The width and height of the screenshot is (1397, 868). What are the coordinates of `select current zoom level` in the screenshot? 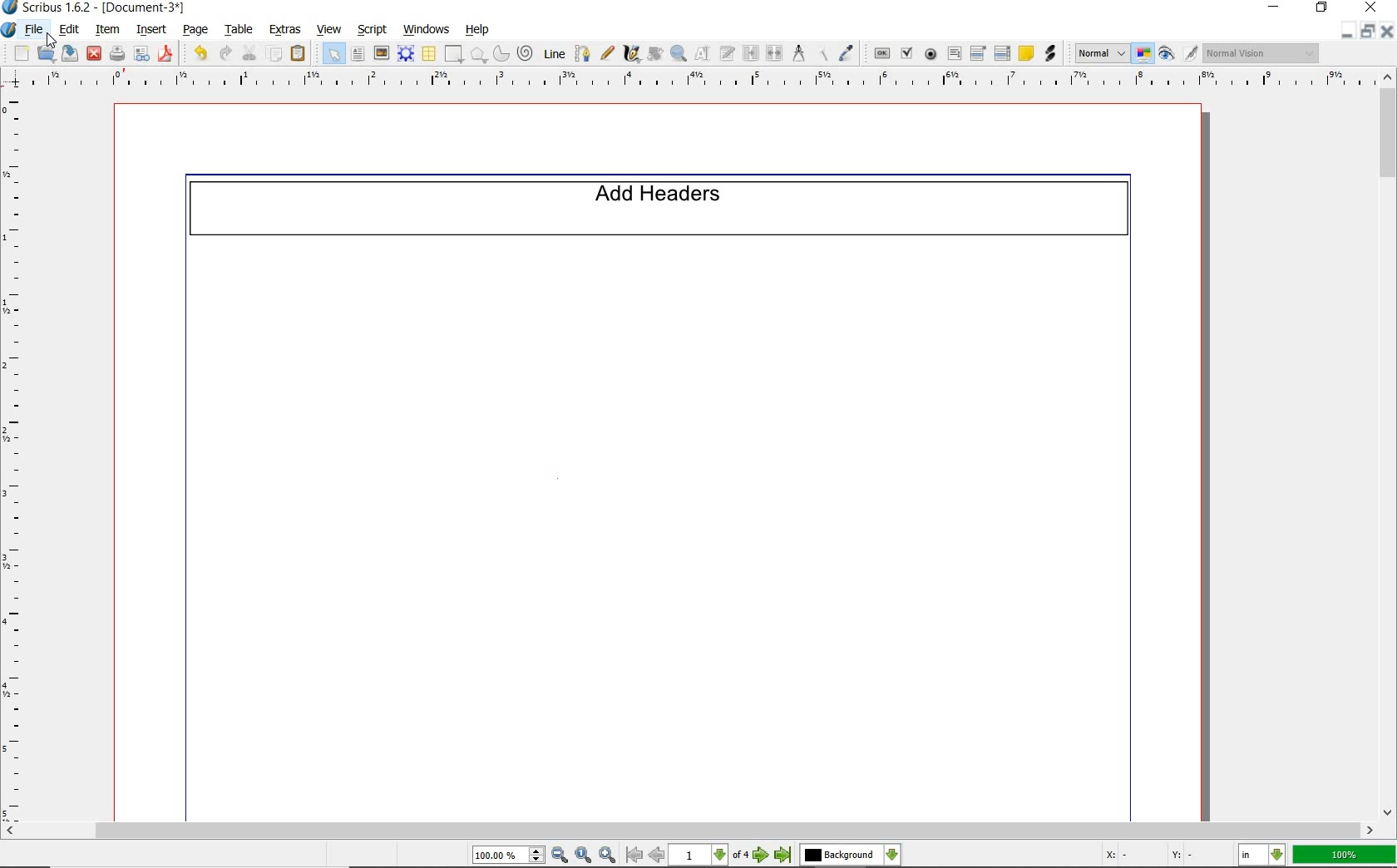 It's located at (510, 855).